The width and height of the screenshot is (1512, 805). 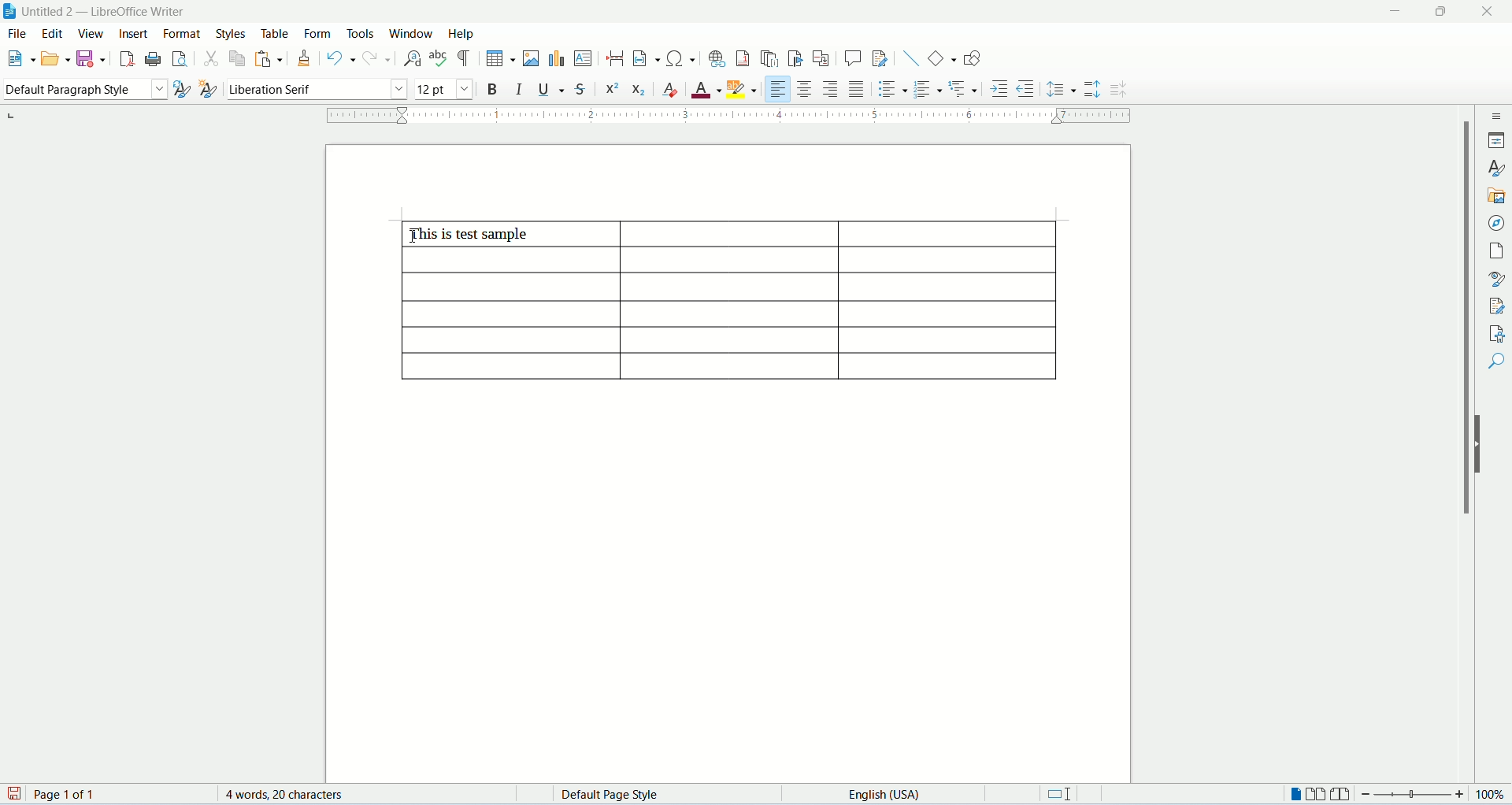 What do you see at coordinates (670, 89) in the screenshot?
I see `clear formatting` at bounding box center [670, 89].